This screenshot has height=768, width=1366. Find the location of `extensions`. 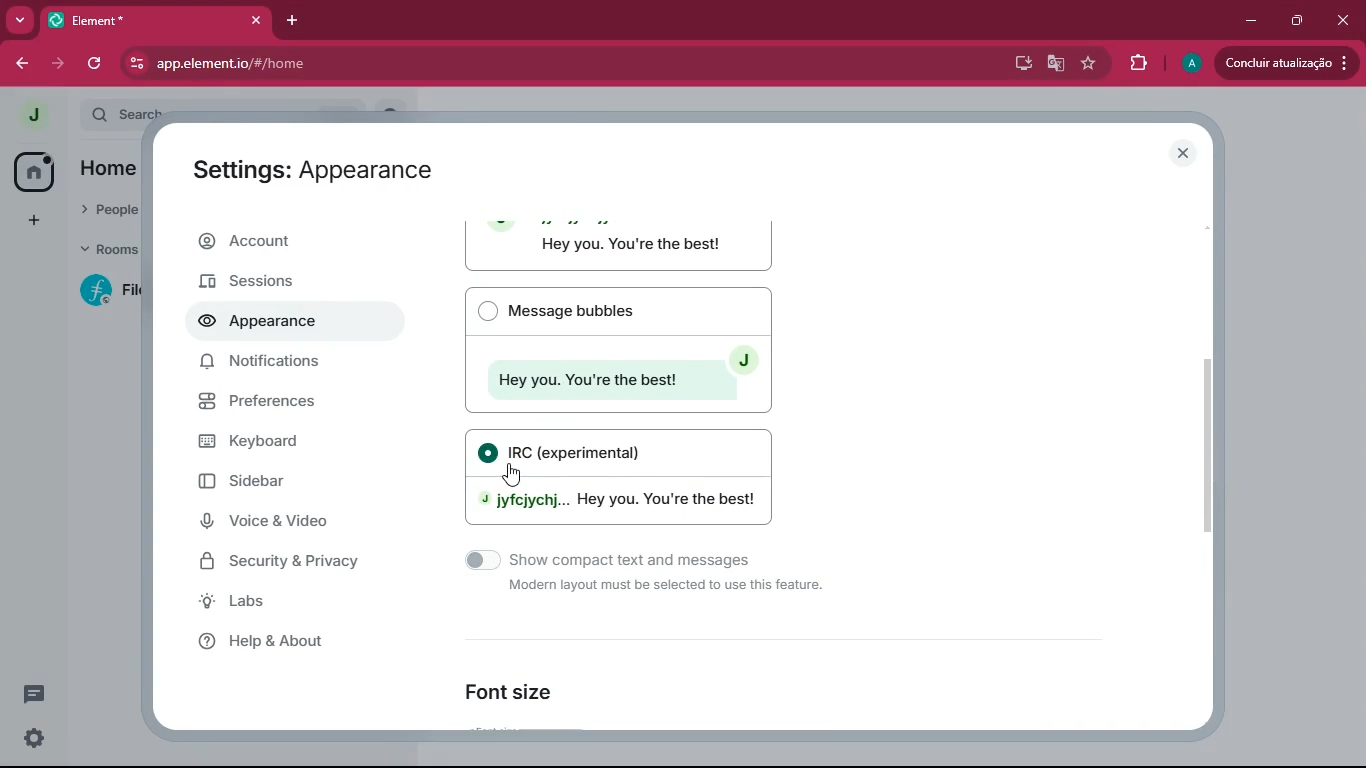

extensions is located at coordinates (1139, 64).